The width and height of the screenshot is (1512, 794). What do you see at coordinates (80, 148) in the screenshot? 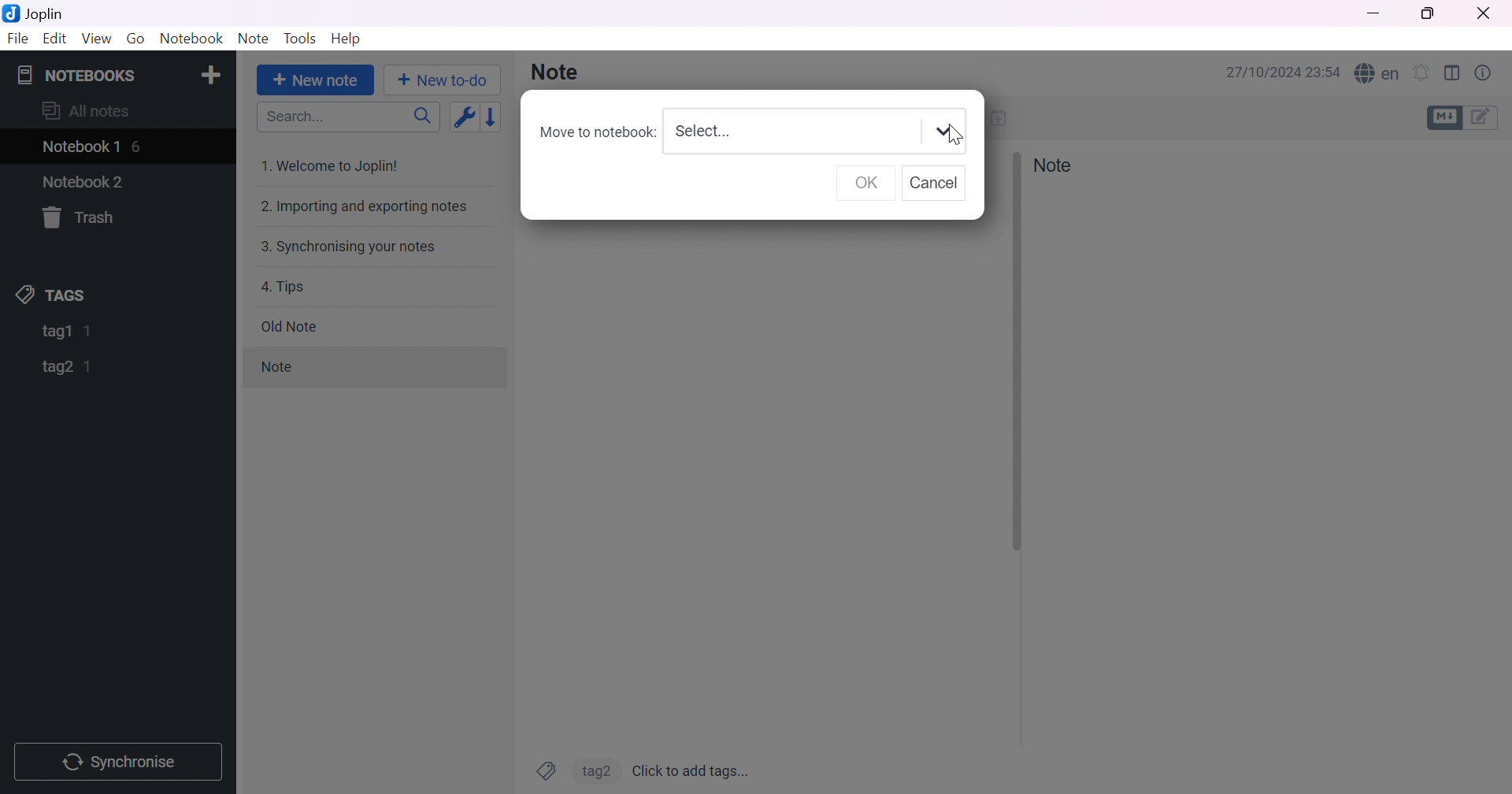
I see `Notebook1` at bounding box center [80, 148].